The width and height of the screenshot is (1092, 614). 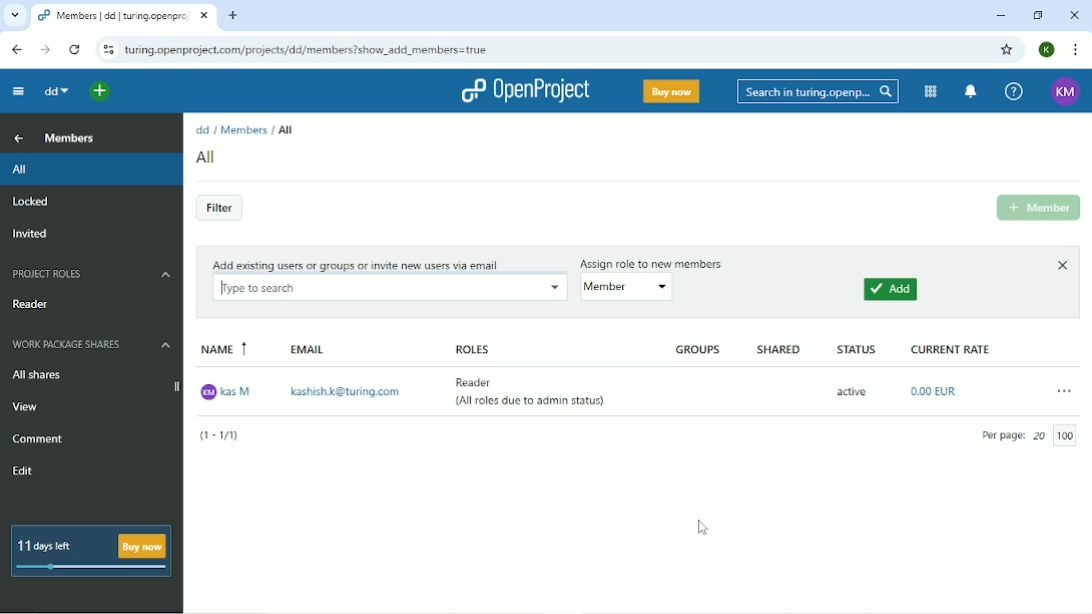 What do you see at coordinates (1065, 92) in the screenshot?
I see `Account` at bounding box center [1065, 92].